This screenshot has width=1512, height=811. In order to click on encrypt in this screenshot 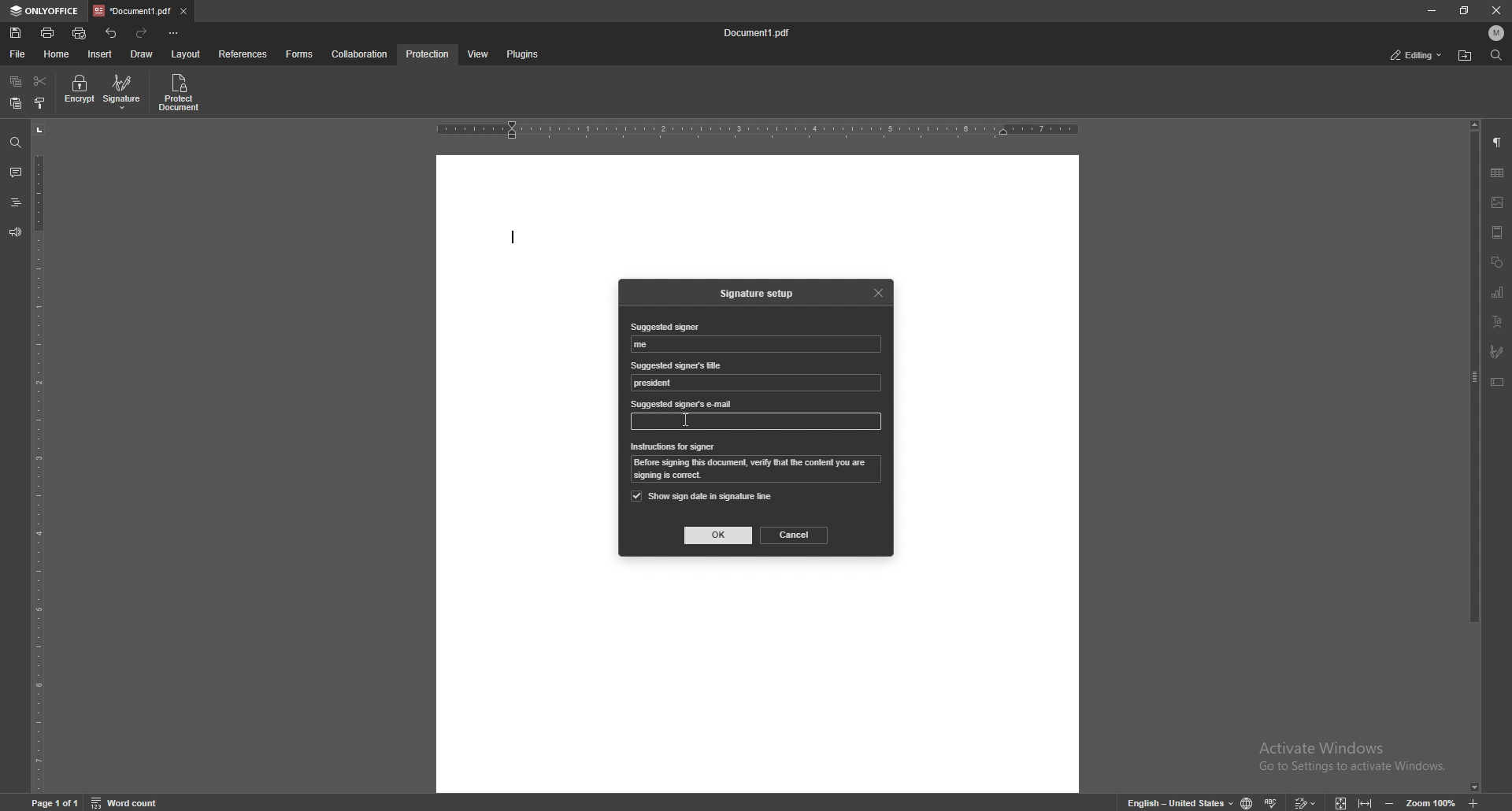, I will do `click(79, 91)`.